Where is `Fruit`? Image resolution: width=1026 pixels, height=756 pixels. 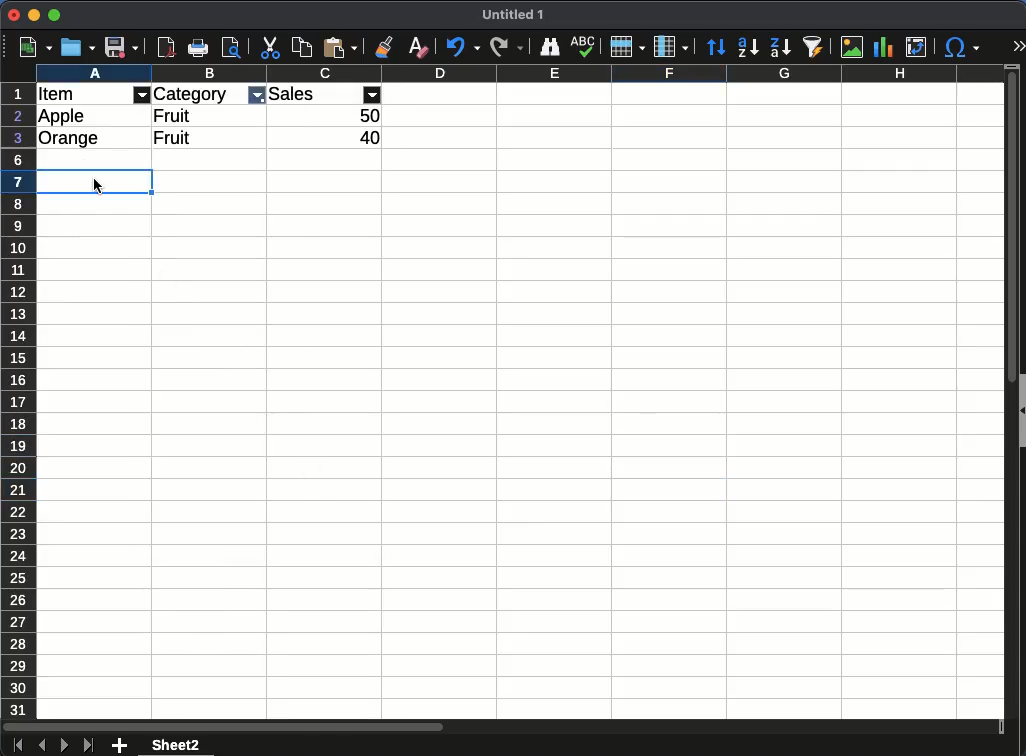
Fruit is located at coordinates (174, 115).